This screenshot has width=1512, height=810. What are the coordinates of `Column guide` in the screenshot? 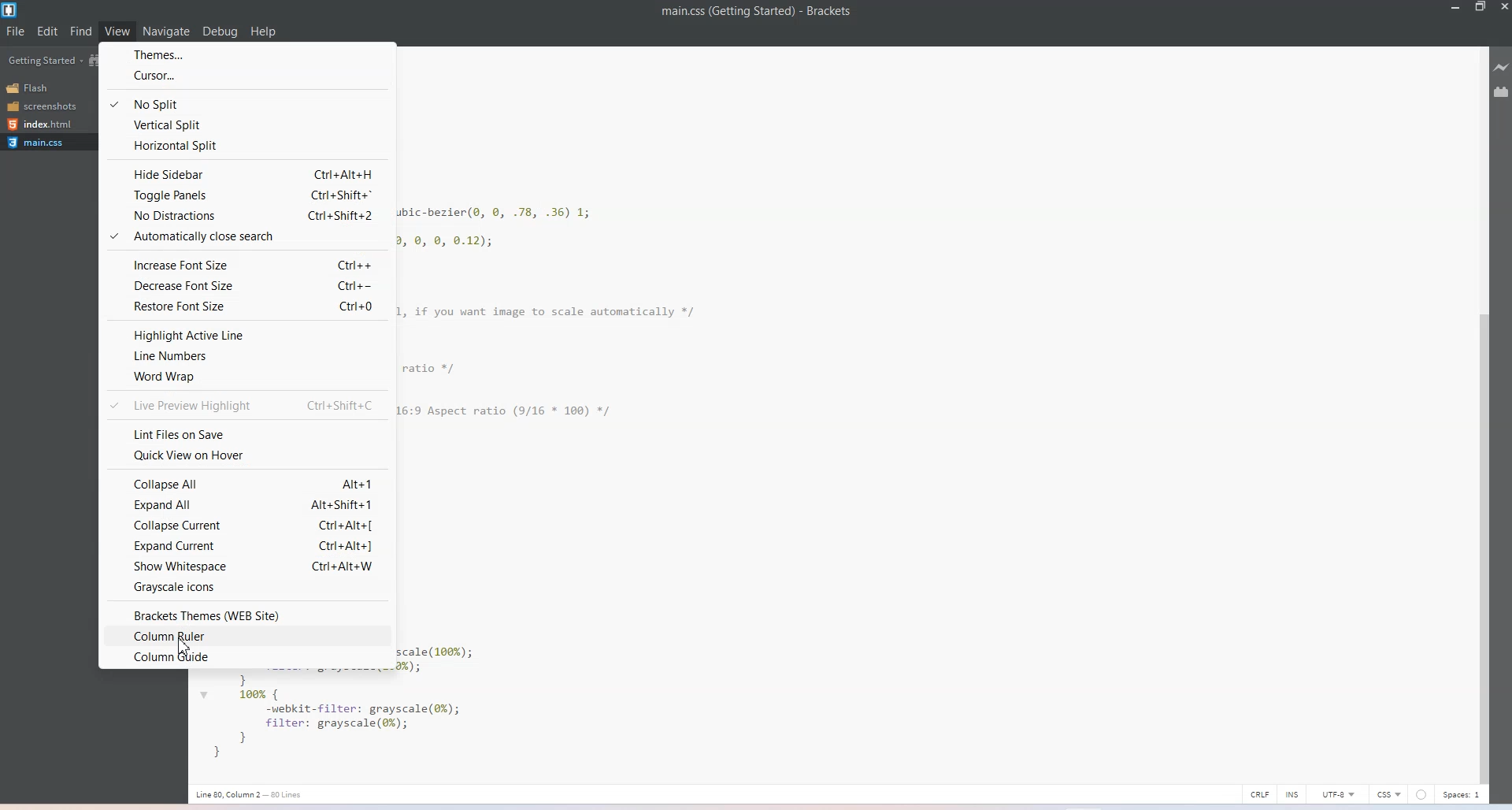 It's located at (246, 659).